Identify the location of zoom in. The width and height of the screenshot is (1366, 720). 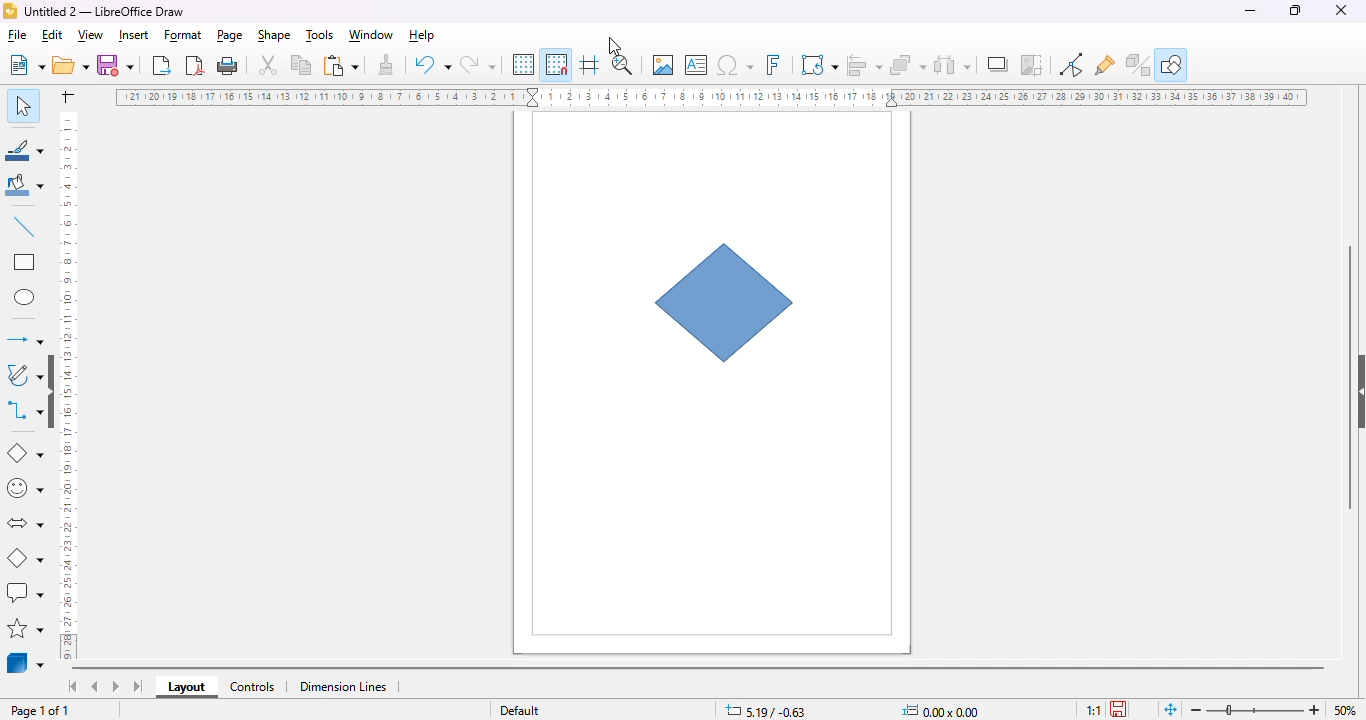
(1314, 709).